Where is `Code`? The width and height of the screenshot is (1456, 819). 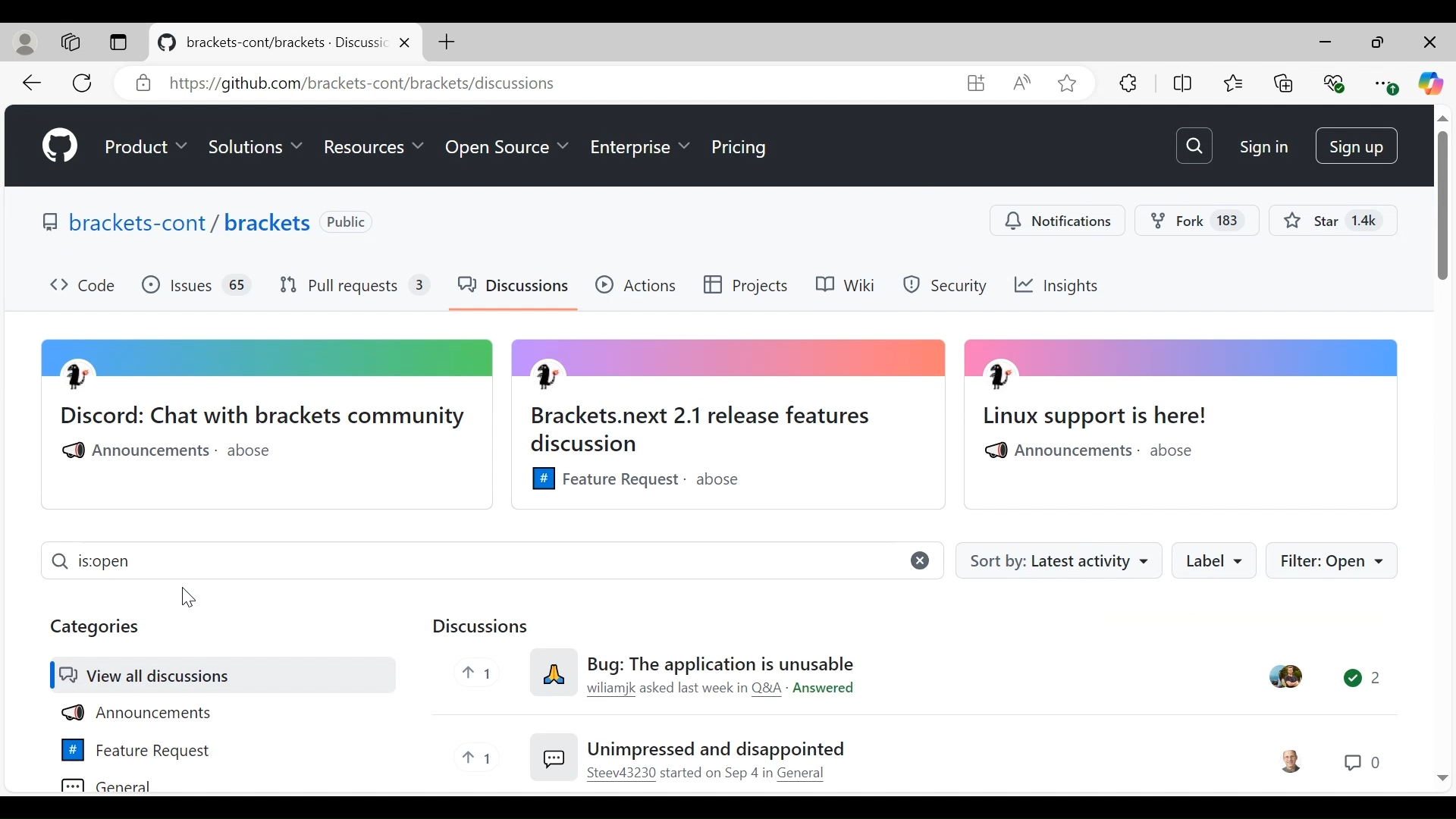 Code is located at coordinates (84, 287).